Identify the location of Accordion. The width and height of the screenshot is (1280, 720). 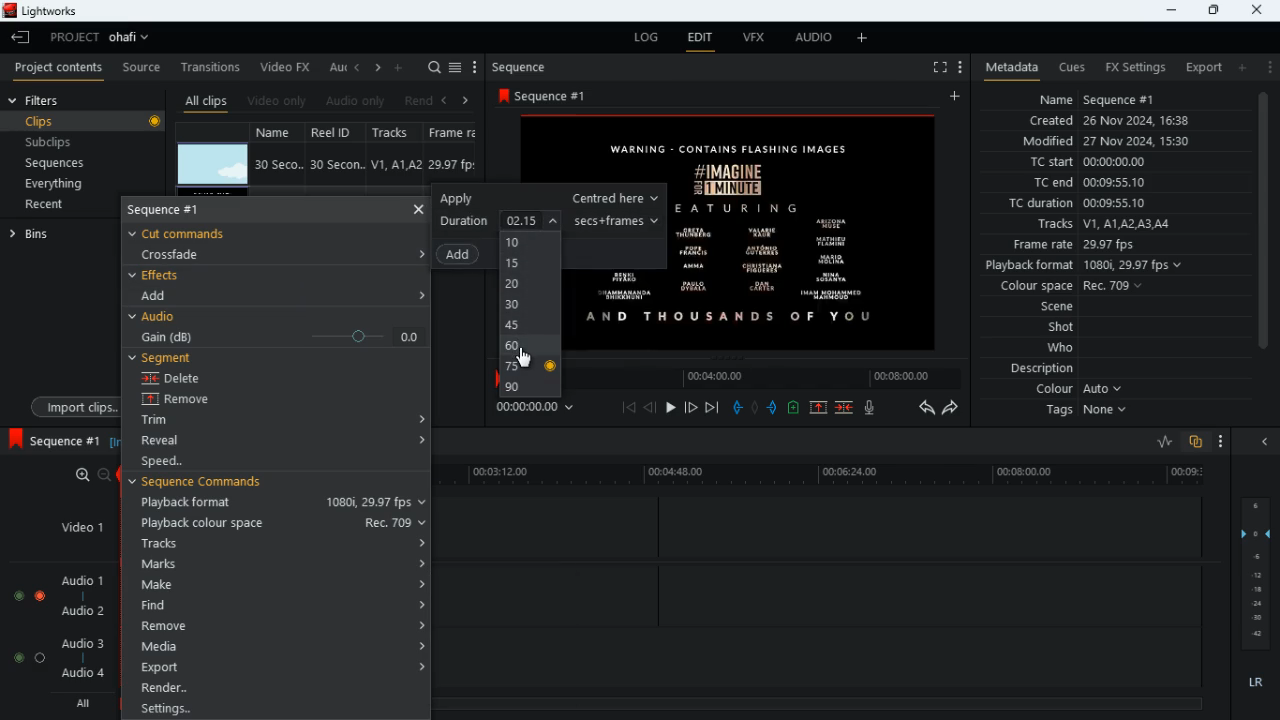
(417, 413).